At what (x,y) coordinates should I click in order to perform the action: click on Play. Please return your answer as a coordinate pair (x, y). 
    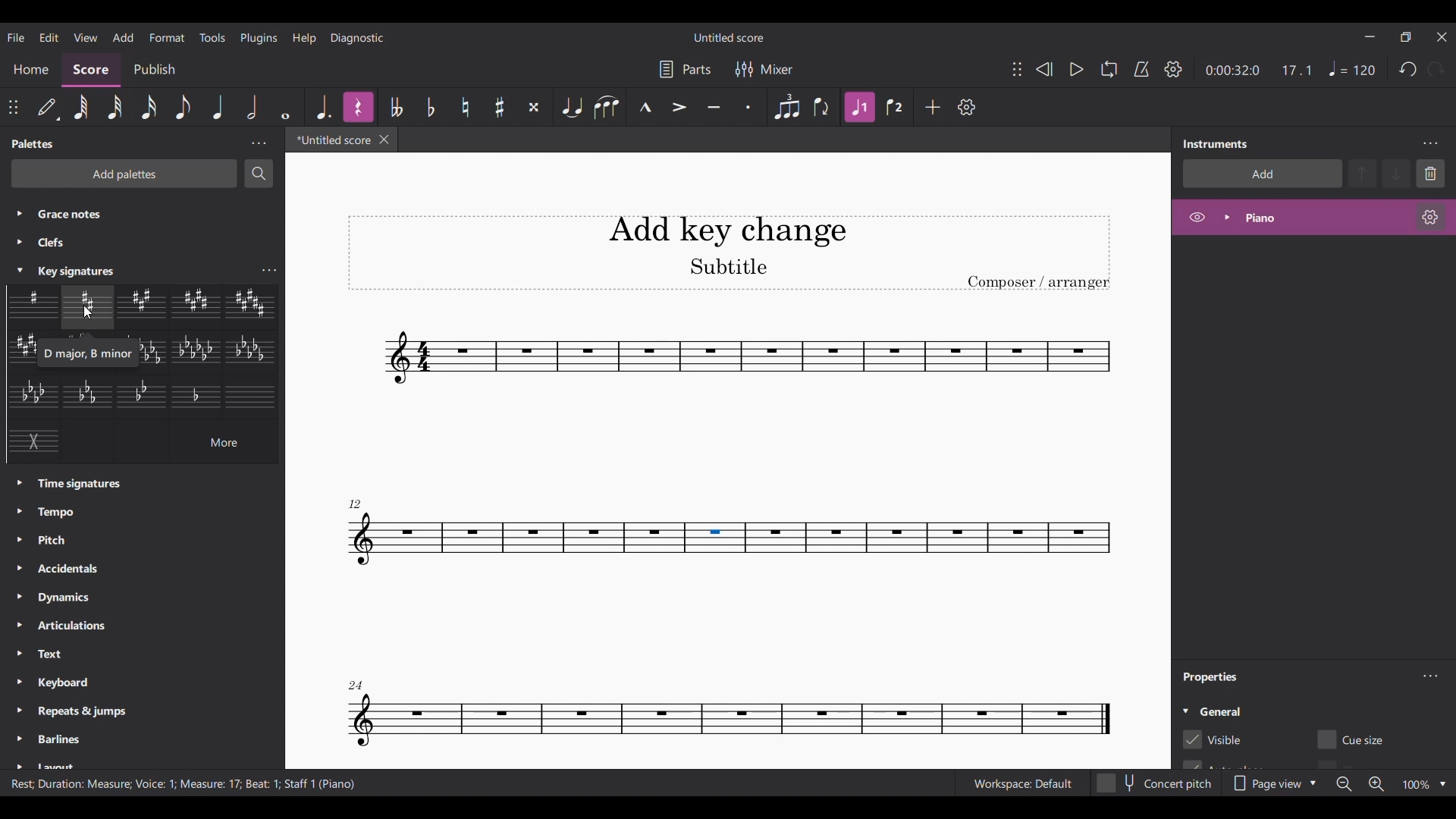
    Looking at the image, I should click on (1076, 69).